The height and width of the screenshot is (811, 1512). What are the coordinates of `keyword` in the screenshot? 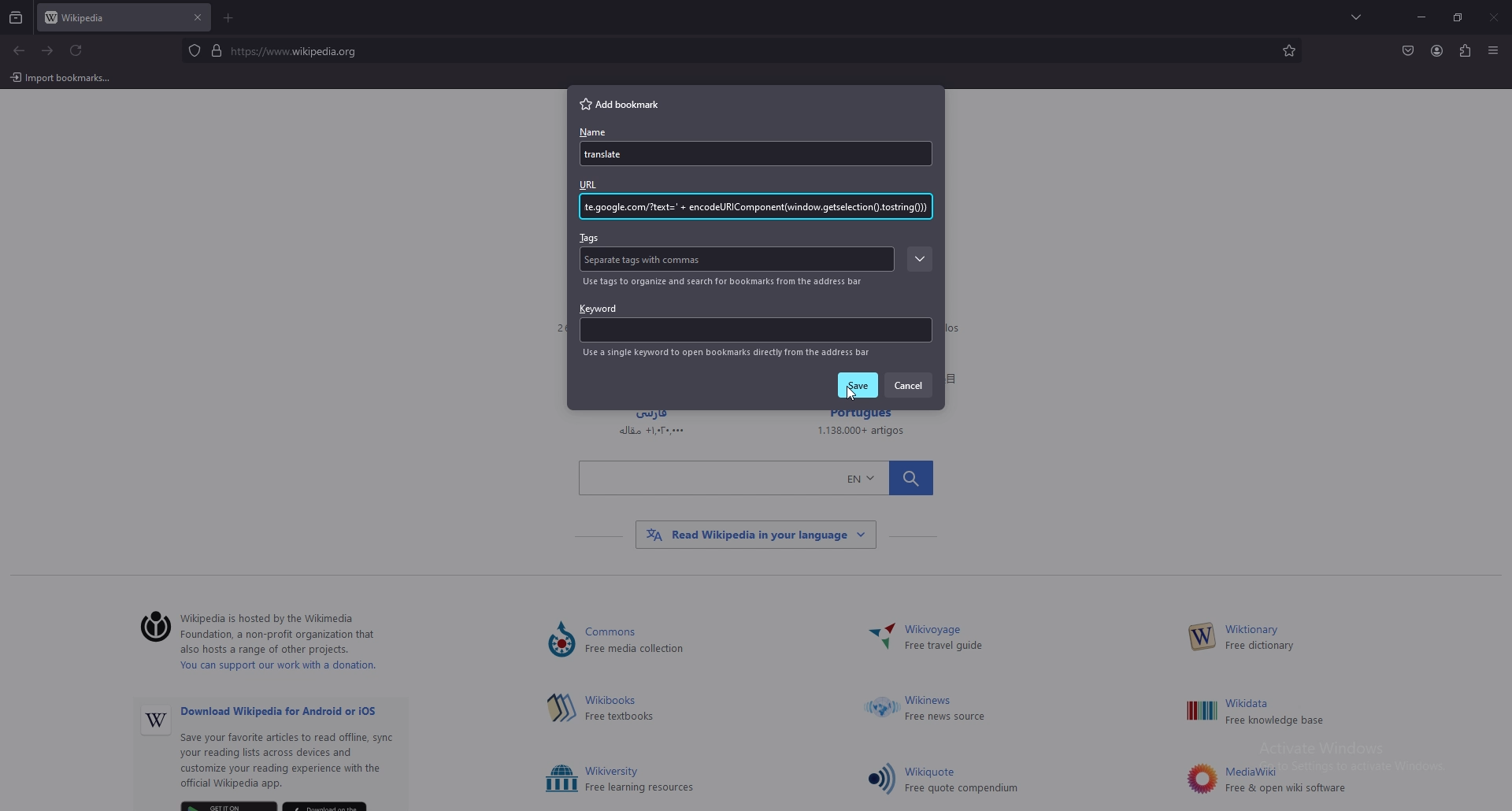 It's located at (754, 323).